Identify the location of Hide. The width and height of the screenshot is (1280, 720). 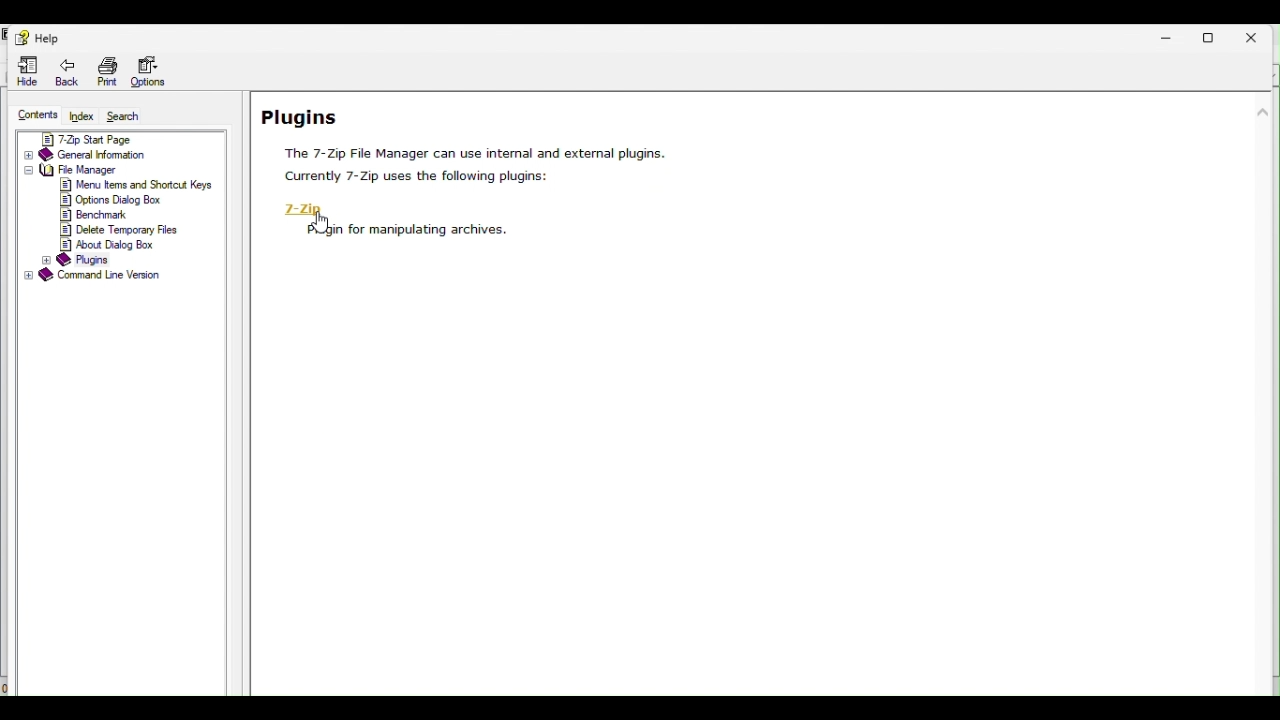
(25, 72).